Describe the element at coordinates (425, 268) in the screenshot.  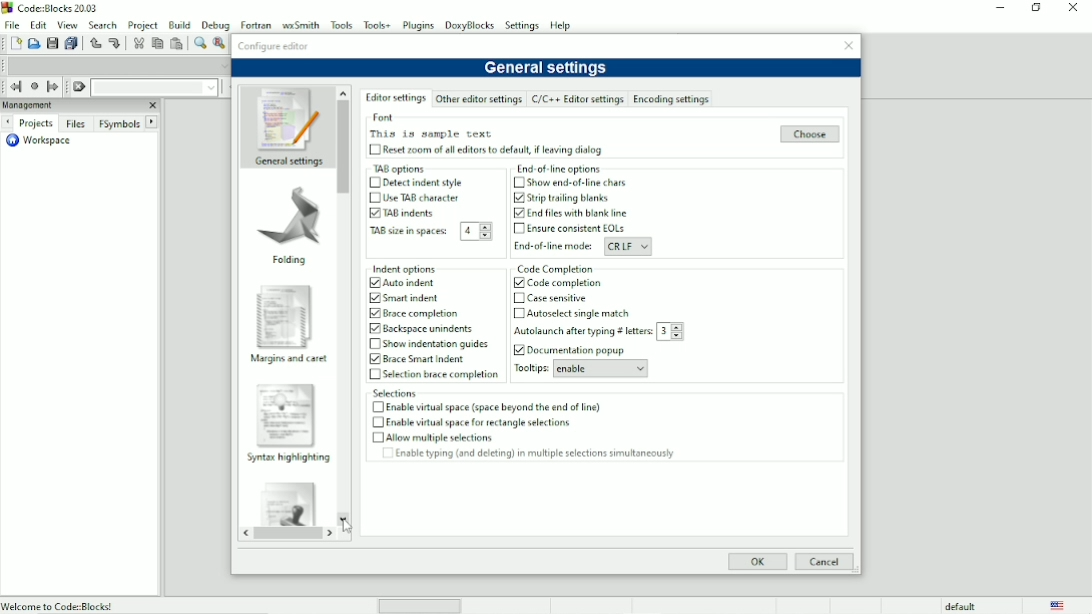
I see `Indent options` at that location.